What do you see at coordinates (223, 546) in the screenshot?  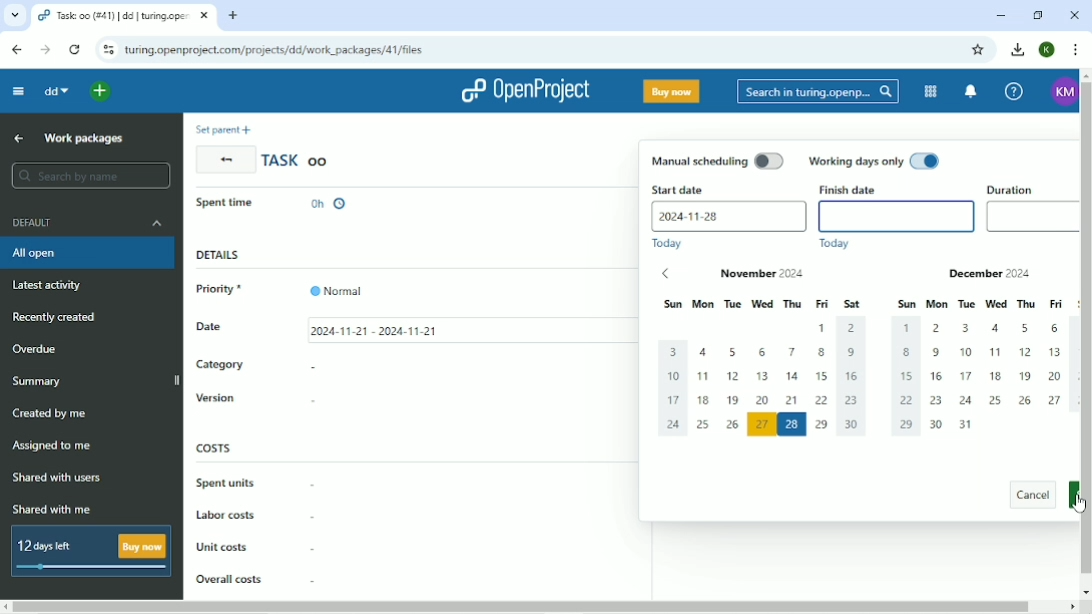 I see `Unit costs` at bounding box center [223, 546].